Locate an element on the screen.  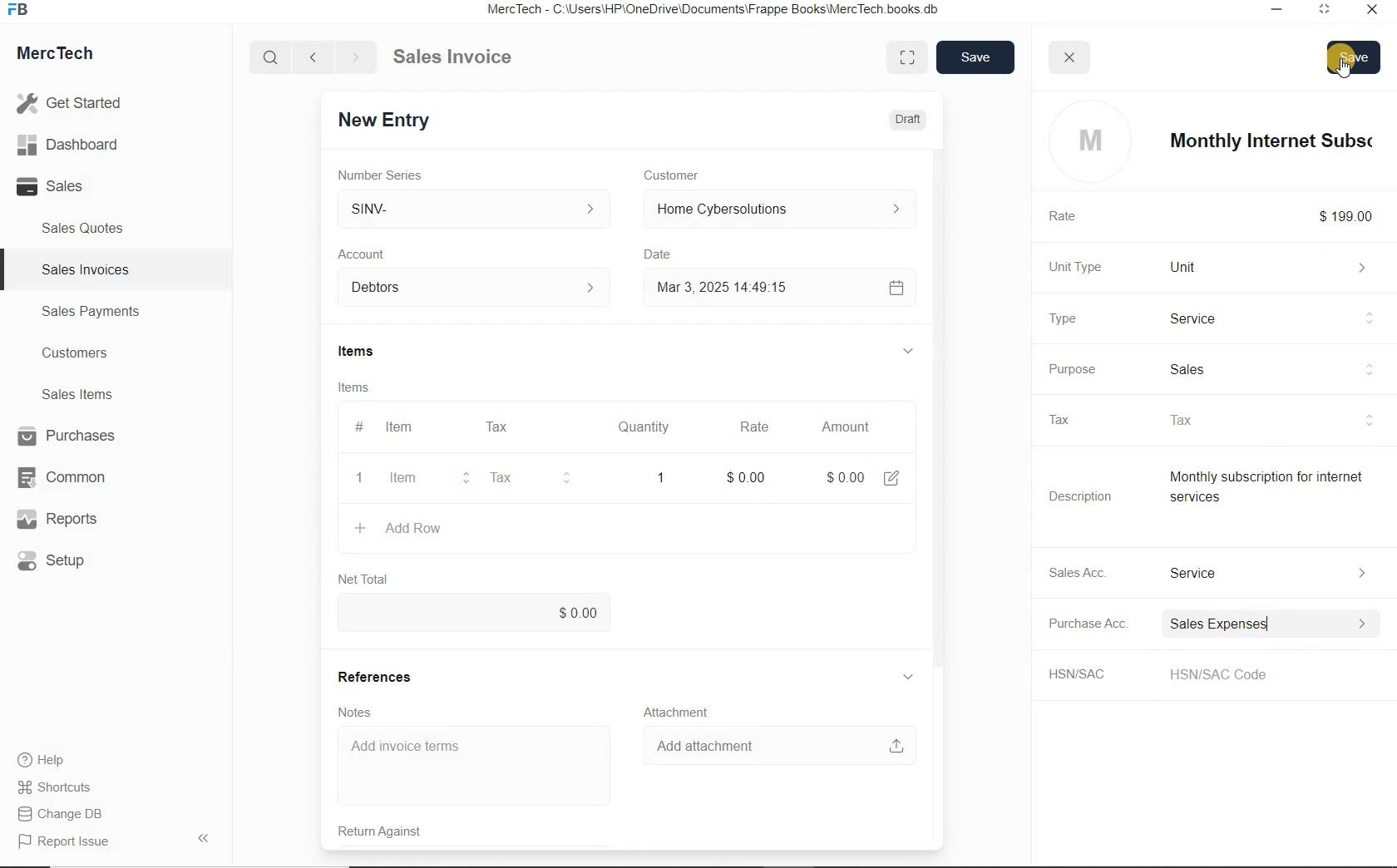
quatity: 1 is located at coordinates (652, 476).